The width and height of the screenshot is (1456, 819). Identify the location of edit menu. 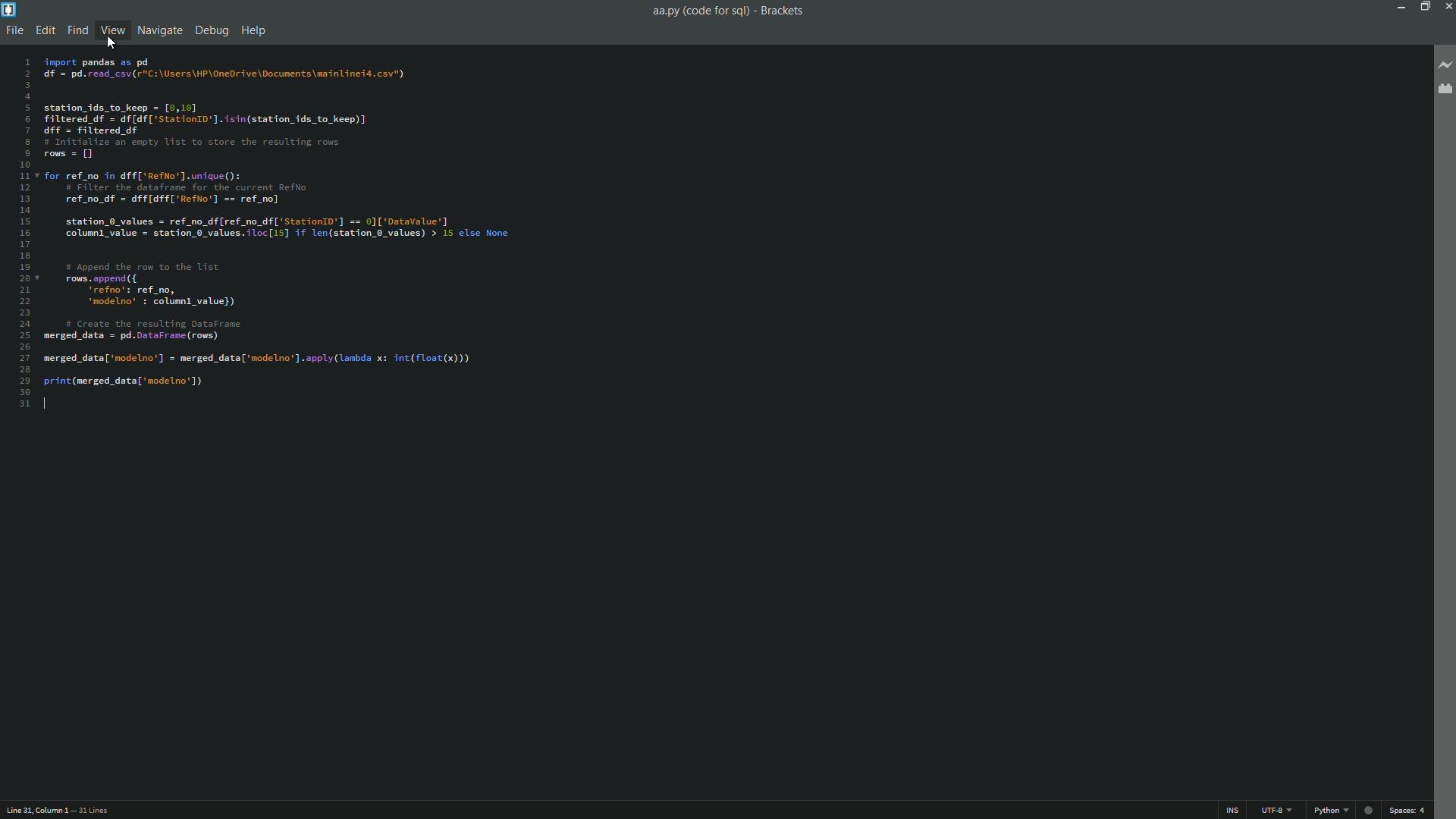
(42, 30).